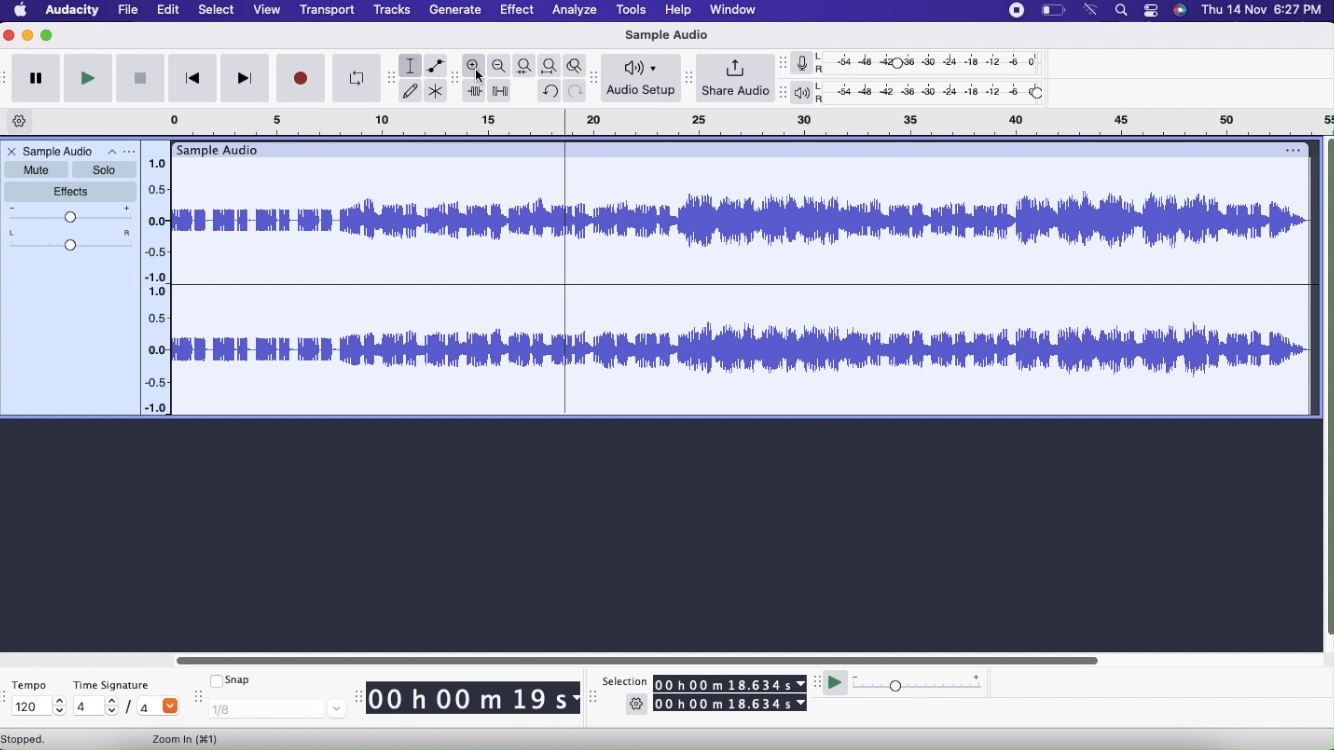 The image size is (1334, 750). I want to click on 00 h 00 m 18.634 s, so click(732, 683).